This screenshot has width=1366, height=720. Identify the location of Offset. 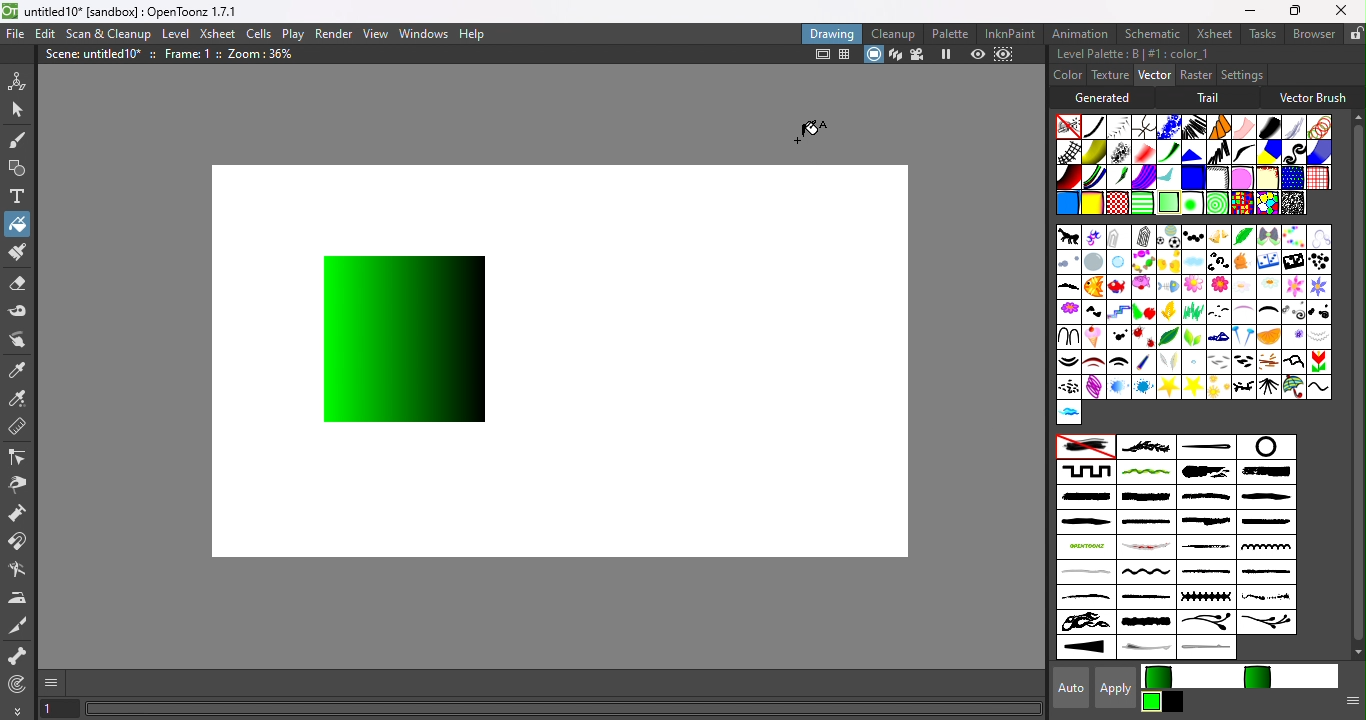
(1192, 178).